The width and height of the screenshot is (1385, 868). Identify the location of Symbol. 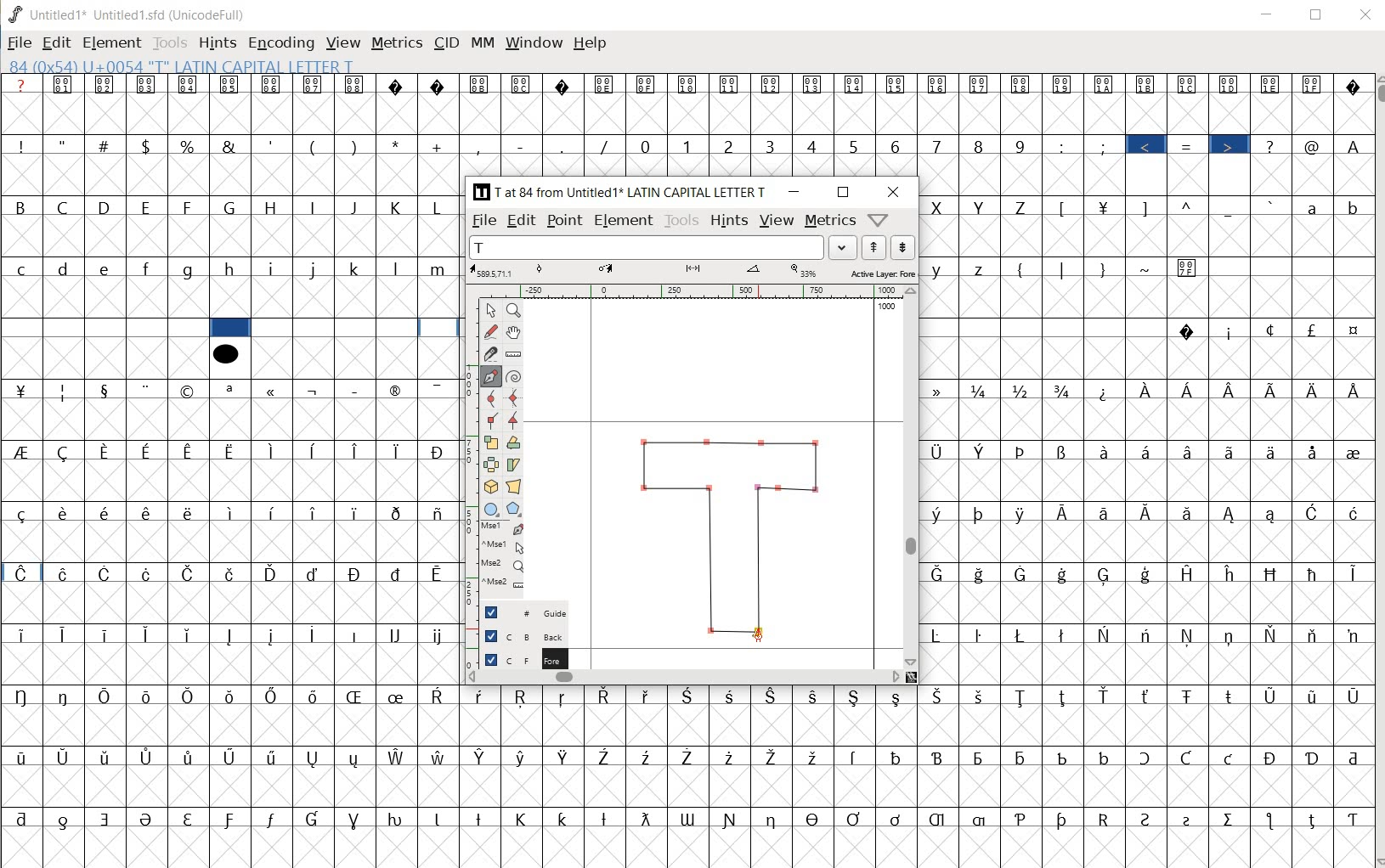
(1190, 392).